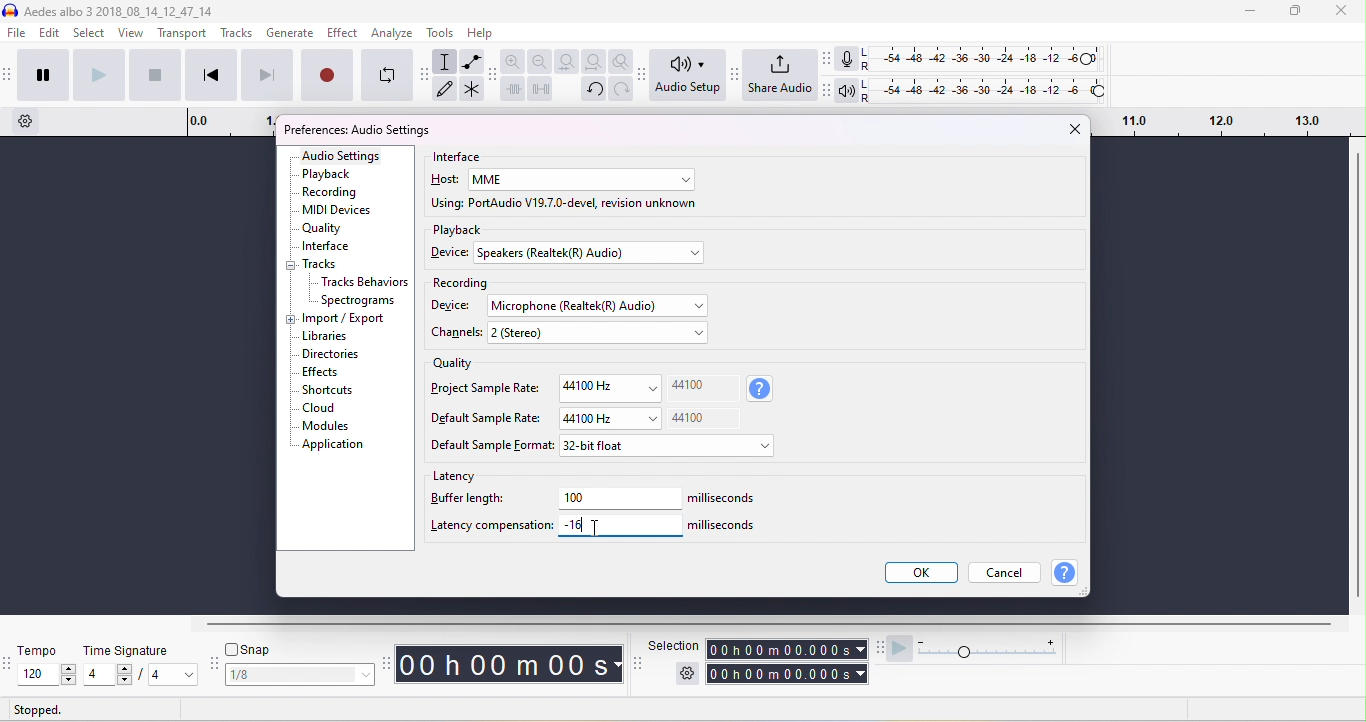  I want to click on Tracks behavior, so click(365, 283).